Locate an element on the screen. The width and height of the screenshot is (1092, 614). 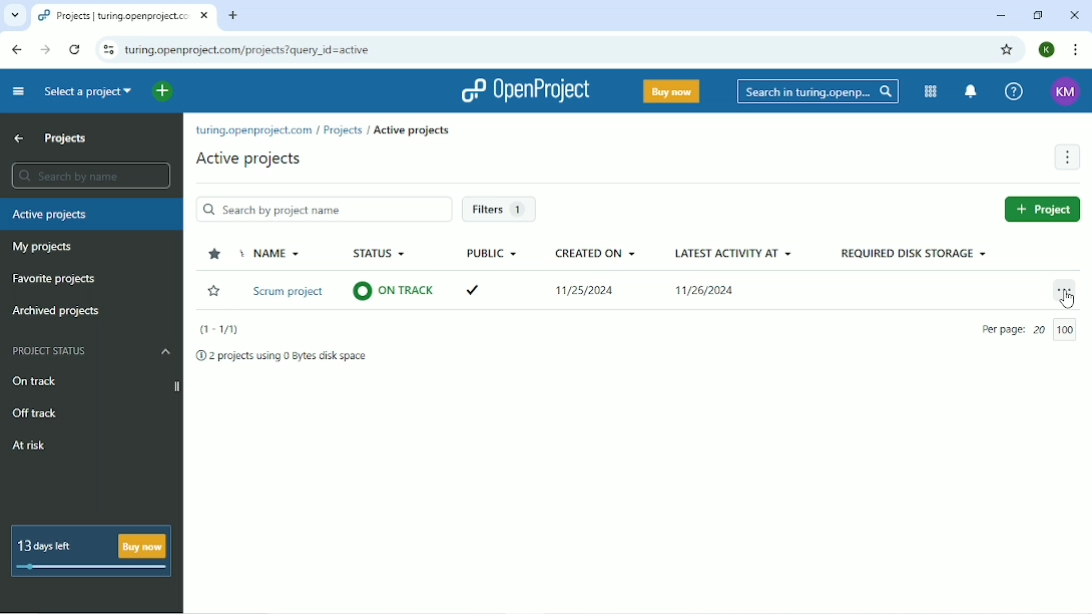
Projects | turing.openproject.com is located at coordinates (122, 16).